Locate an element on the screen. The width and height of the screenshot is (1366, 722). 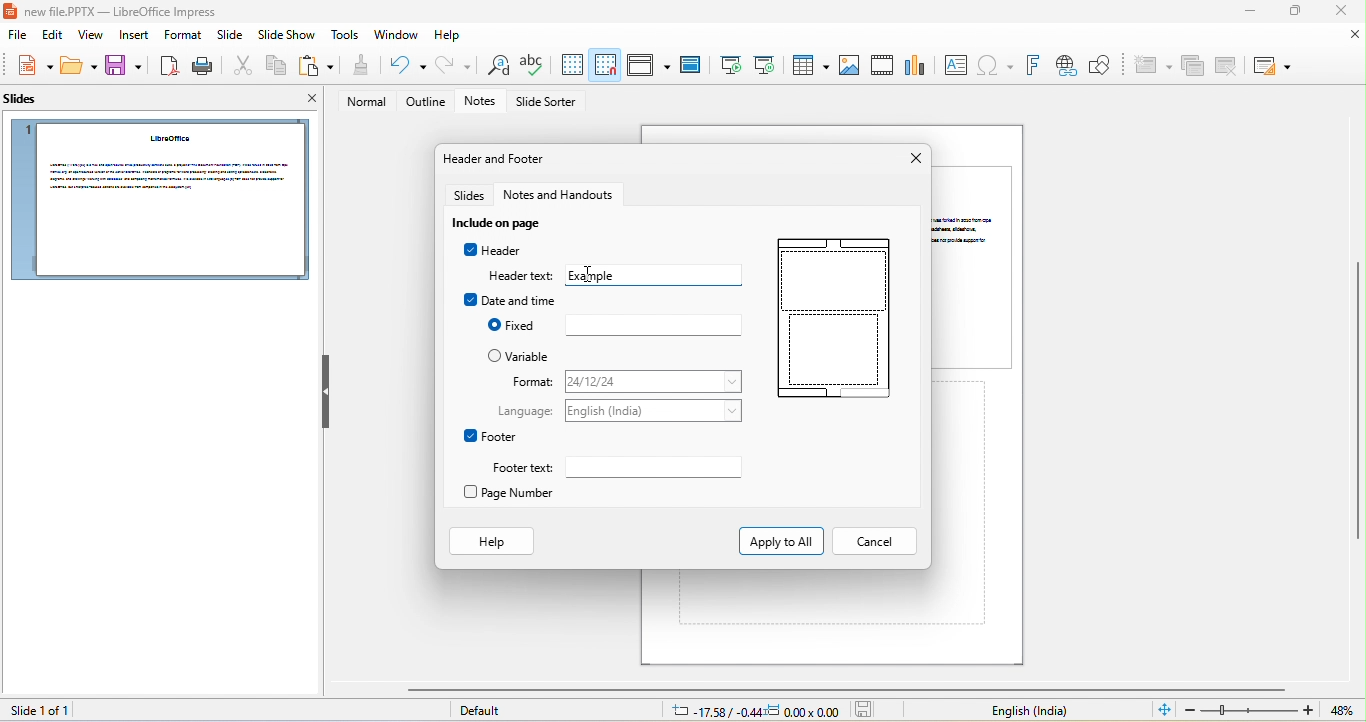
slide 1 is located at coordinates (158, 200).